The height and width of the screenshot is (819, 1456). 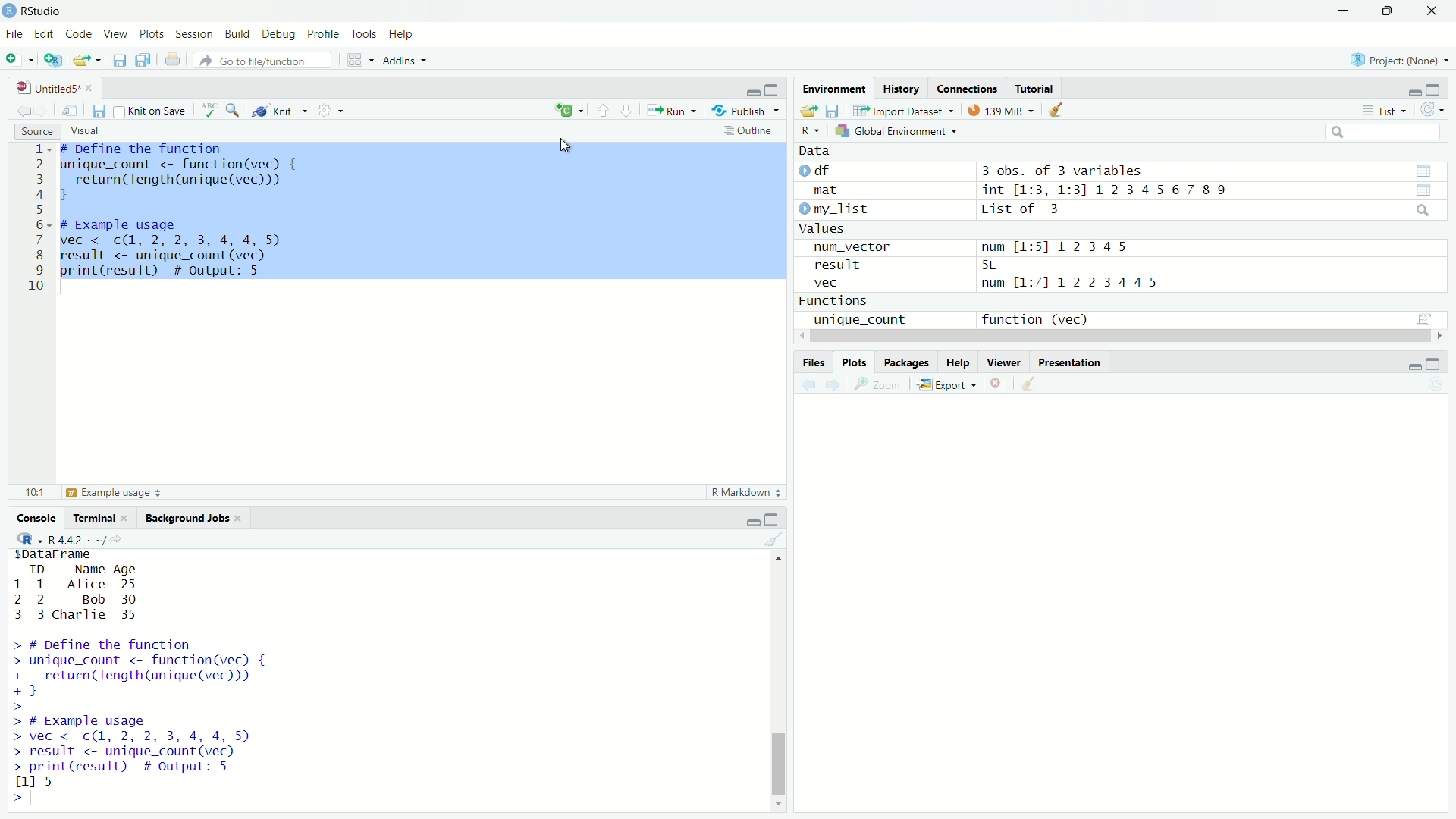 What do you see at coordinates (774, 90) in the screenshot?
I see `maximize` at bounding box center [774, 90].